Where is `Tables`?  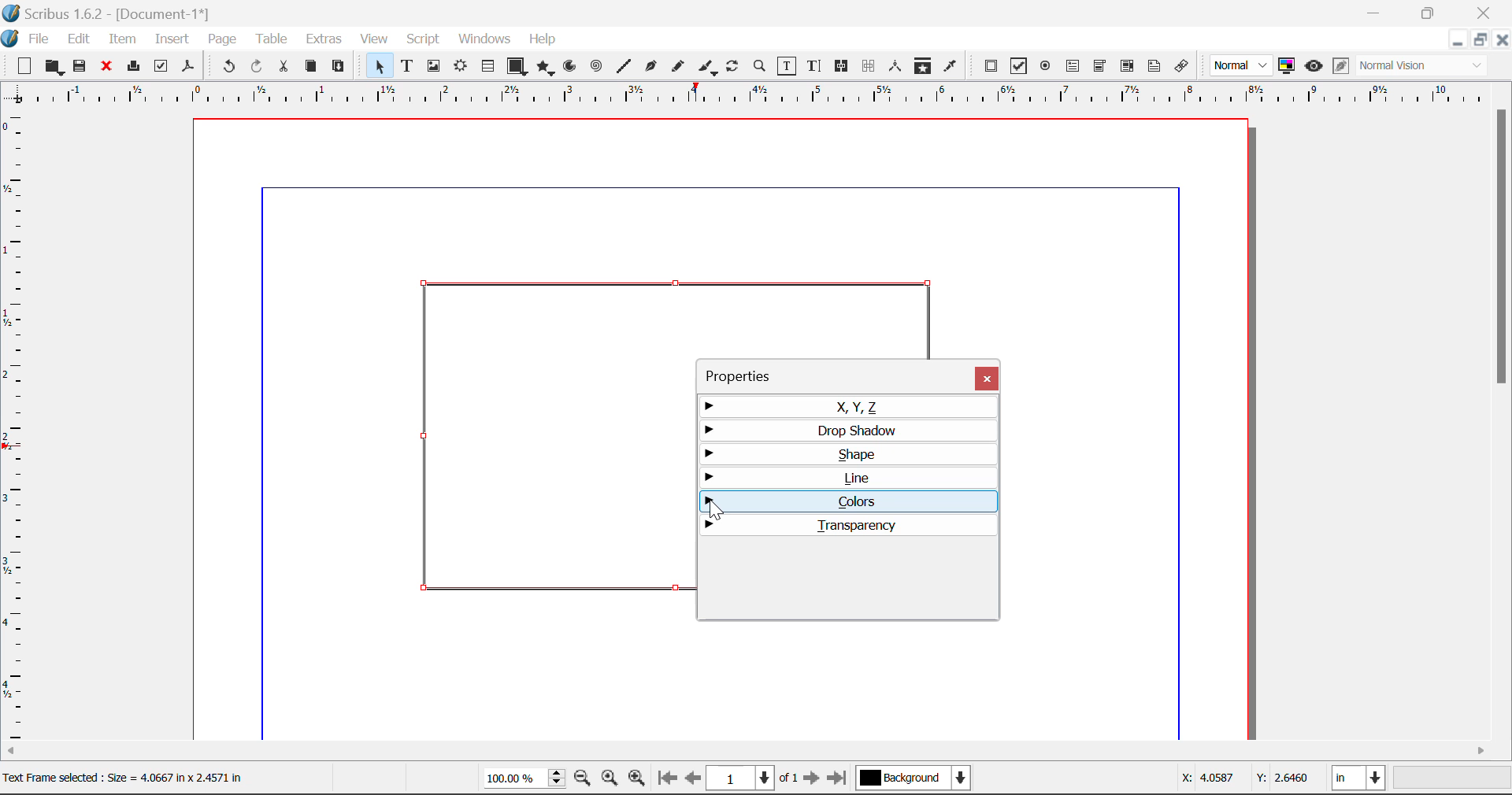
Tables is located at coordinates (487, 66).